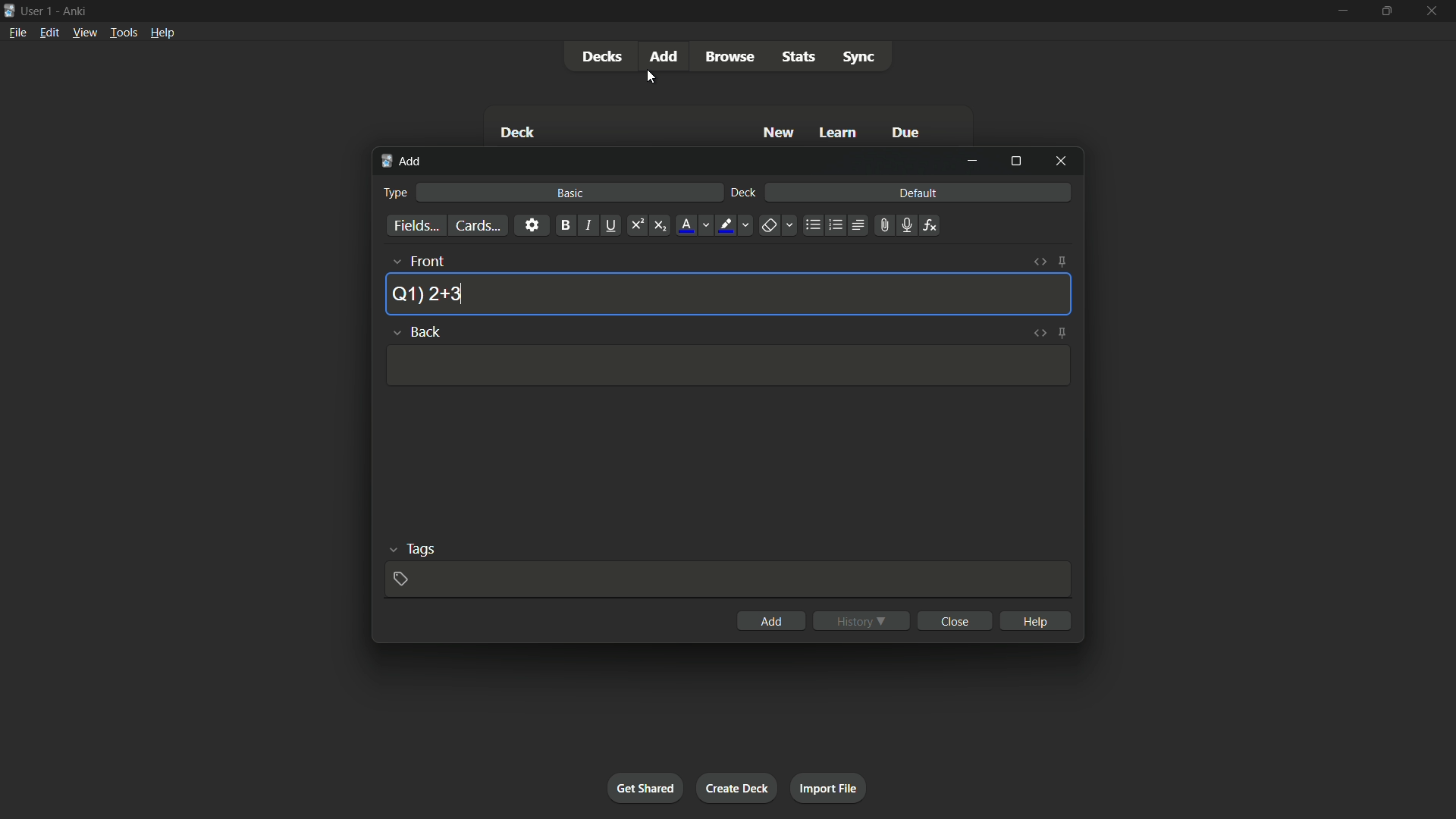 The image size is (1456, 819). What do you see at coordinates (74, 9) in the screenshot?
I see `app name` at bounding box center [74, 9].